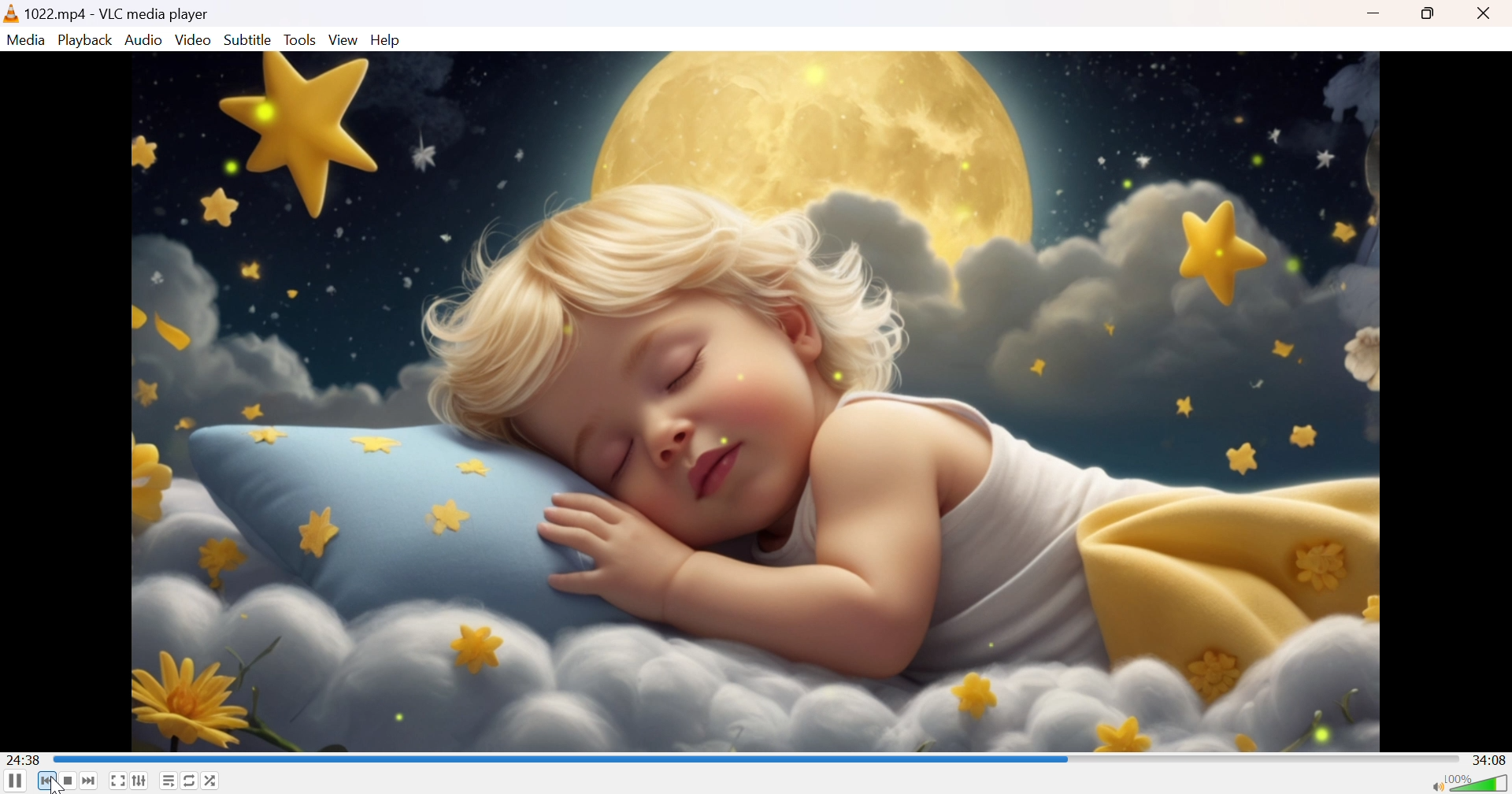 The height and width of the screenshot is (794, 1512). Describe the element at coordinates (15, 781) in the screenshot. I see `Pause the playback` at that location.